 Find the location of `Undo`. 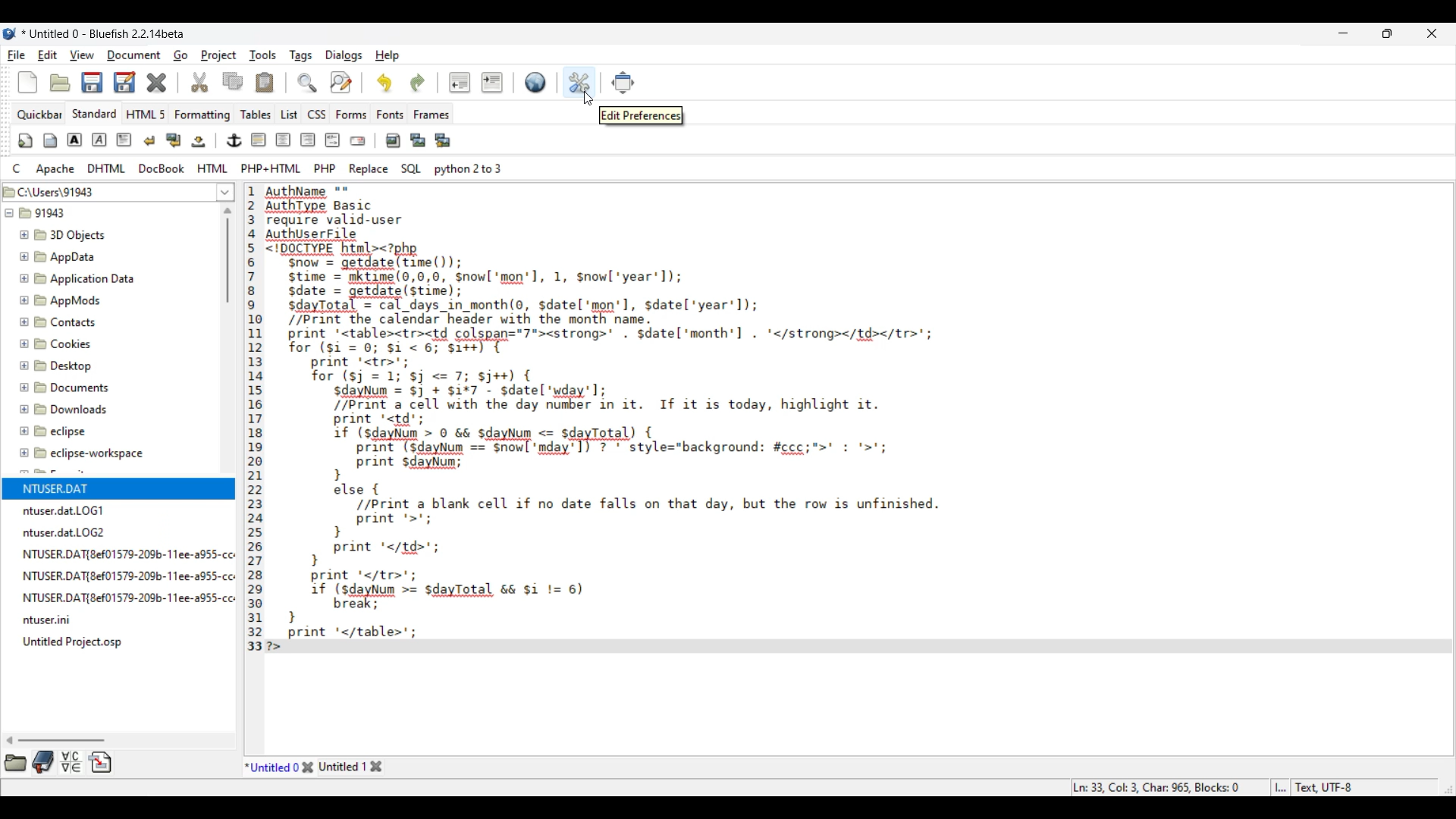

Undo is located at coordinates (384, 83).